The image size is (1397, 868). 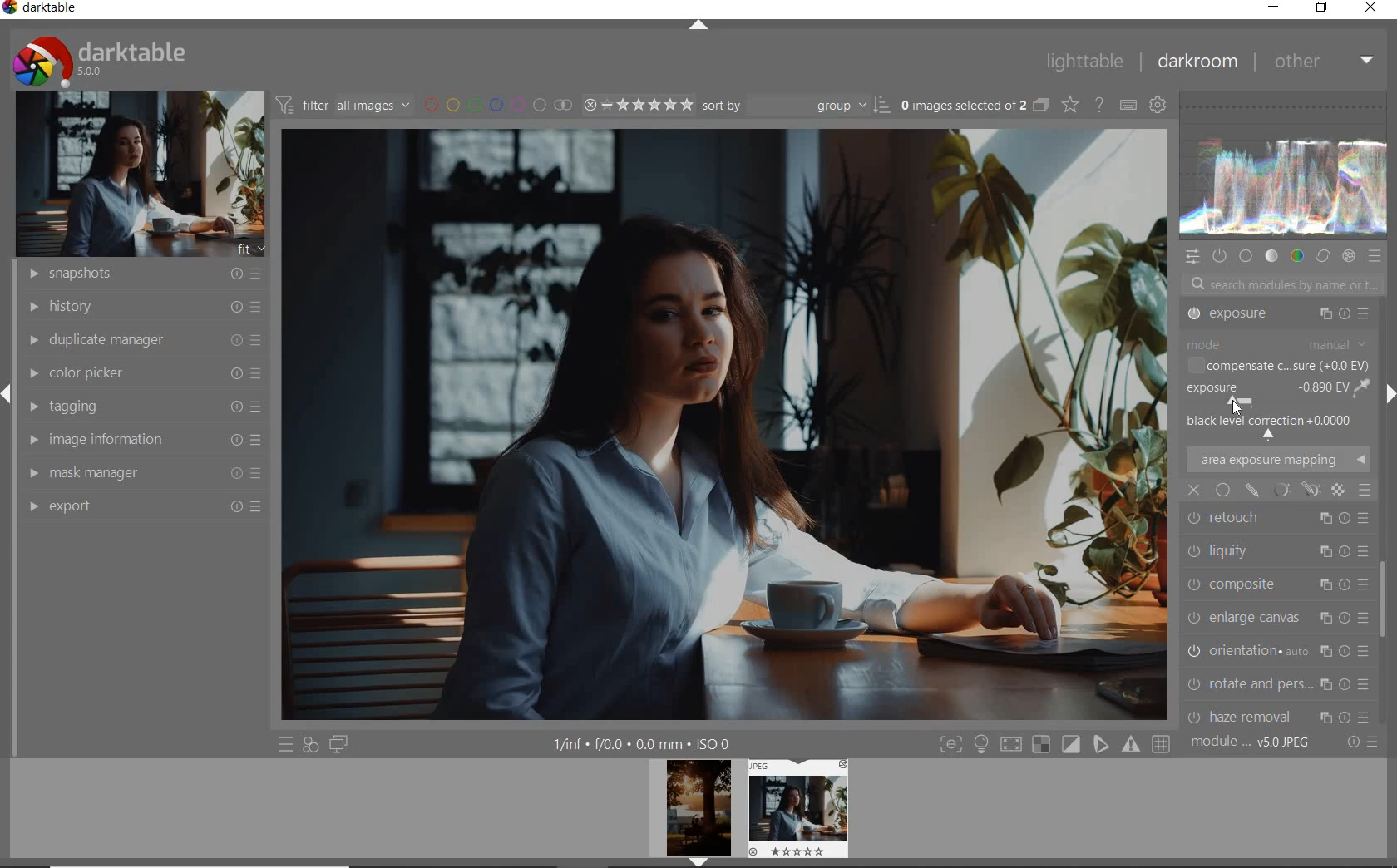 What do you see at coordinates (1276, 353) in the screenshot?
I see `TONE EQUALIZER` at bounding box center [1276, 353].